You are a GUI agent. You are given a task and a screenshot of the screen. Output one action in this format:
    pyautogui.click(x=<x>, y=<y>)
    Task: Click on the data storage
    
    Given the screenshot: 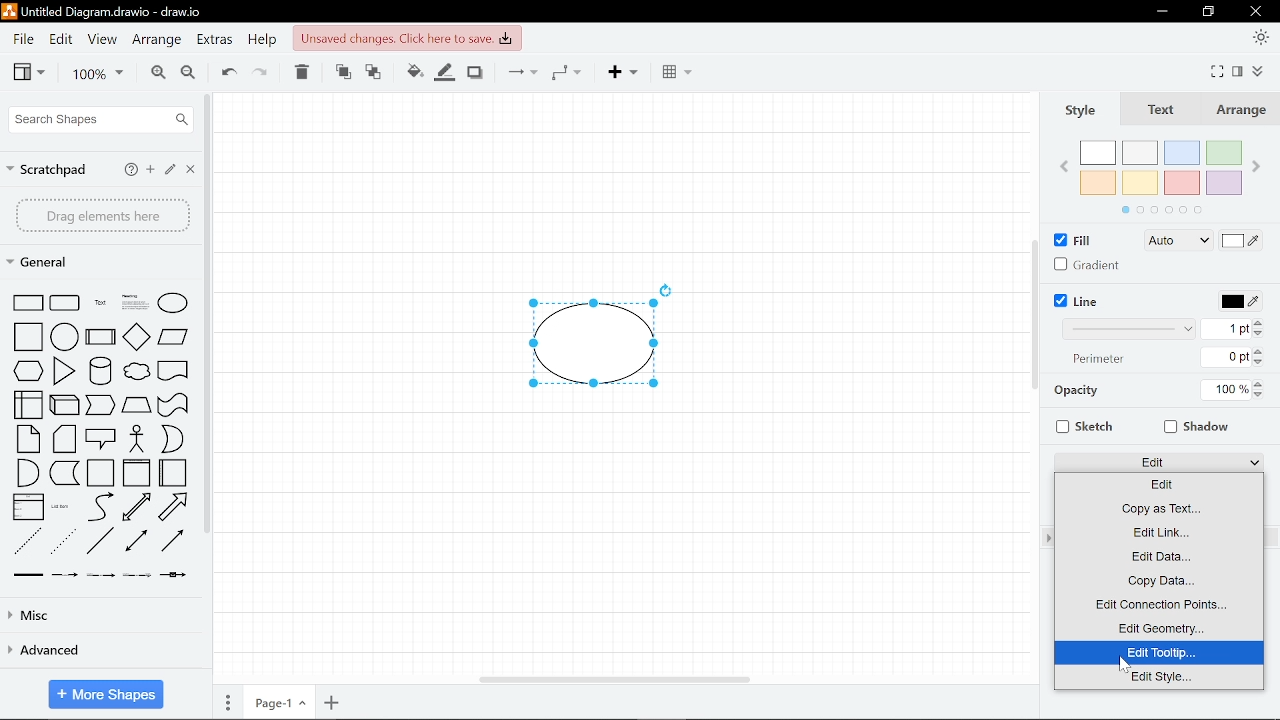 What is the action you would take?
    pyautogui.click(x=64, y=474)
    